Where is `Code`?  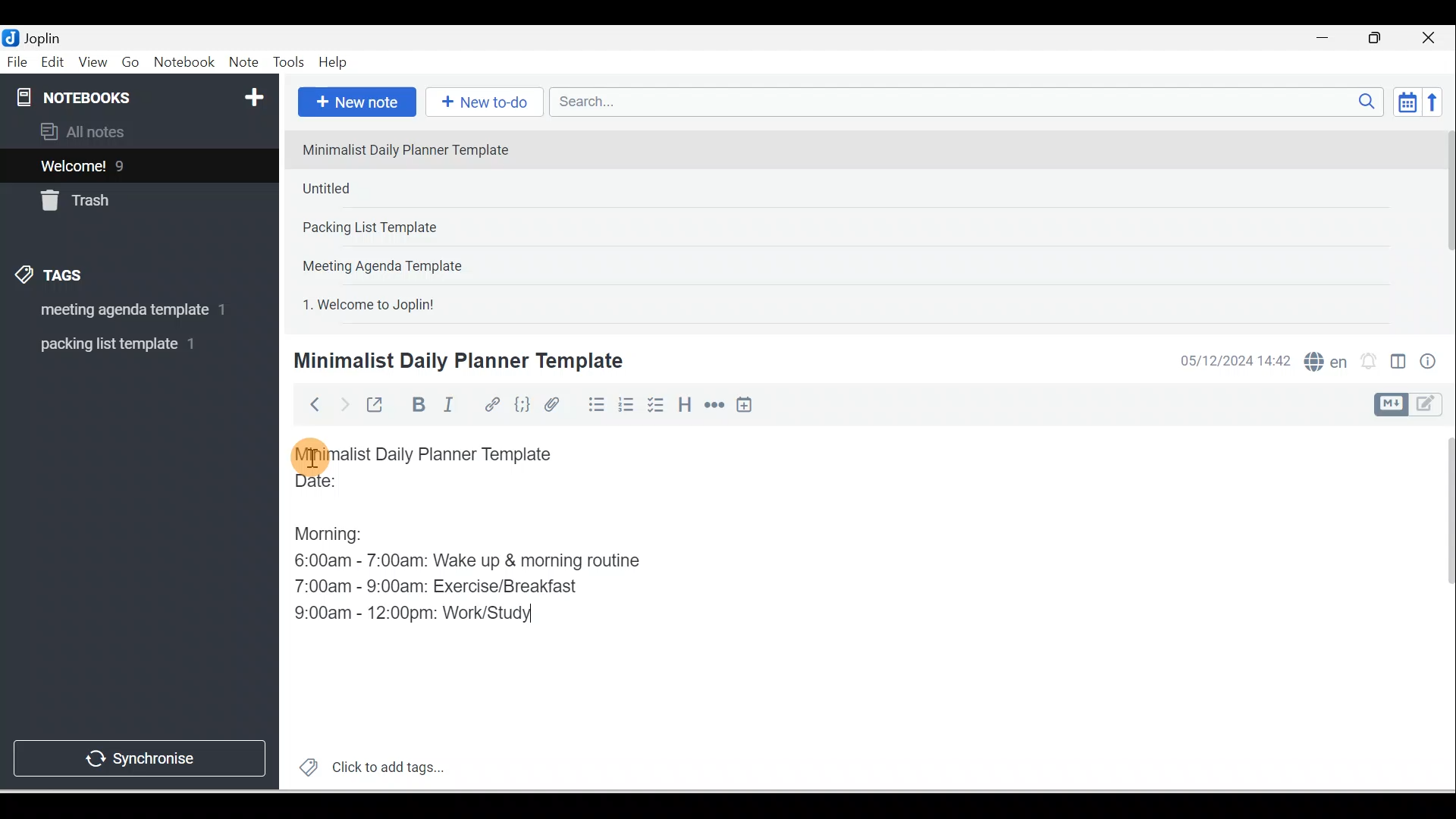 Code is located at coordinates (522, 406).